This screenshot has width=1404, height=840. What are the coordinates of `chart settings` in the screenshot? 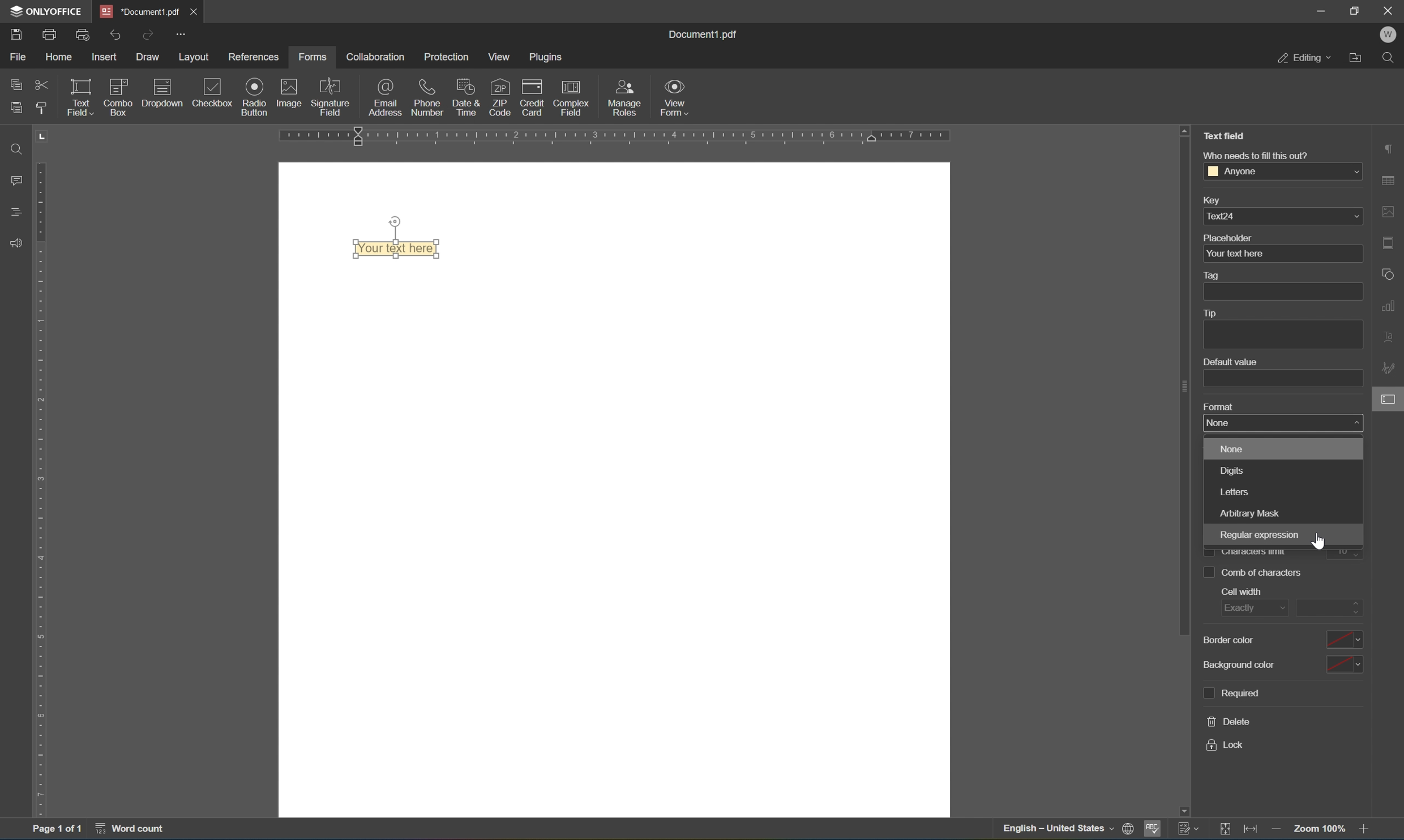 It's located at (1390, 303).